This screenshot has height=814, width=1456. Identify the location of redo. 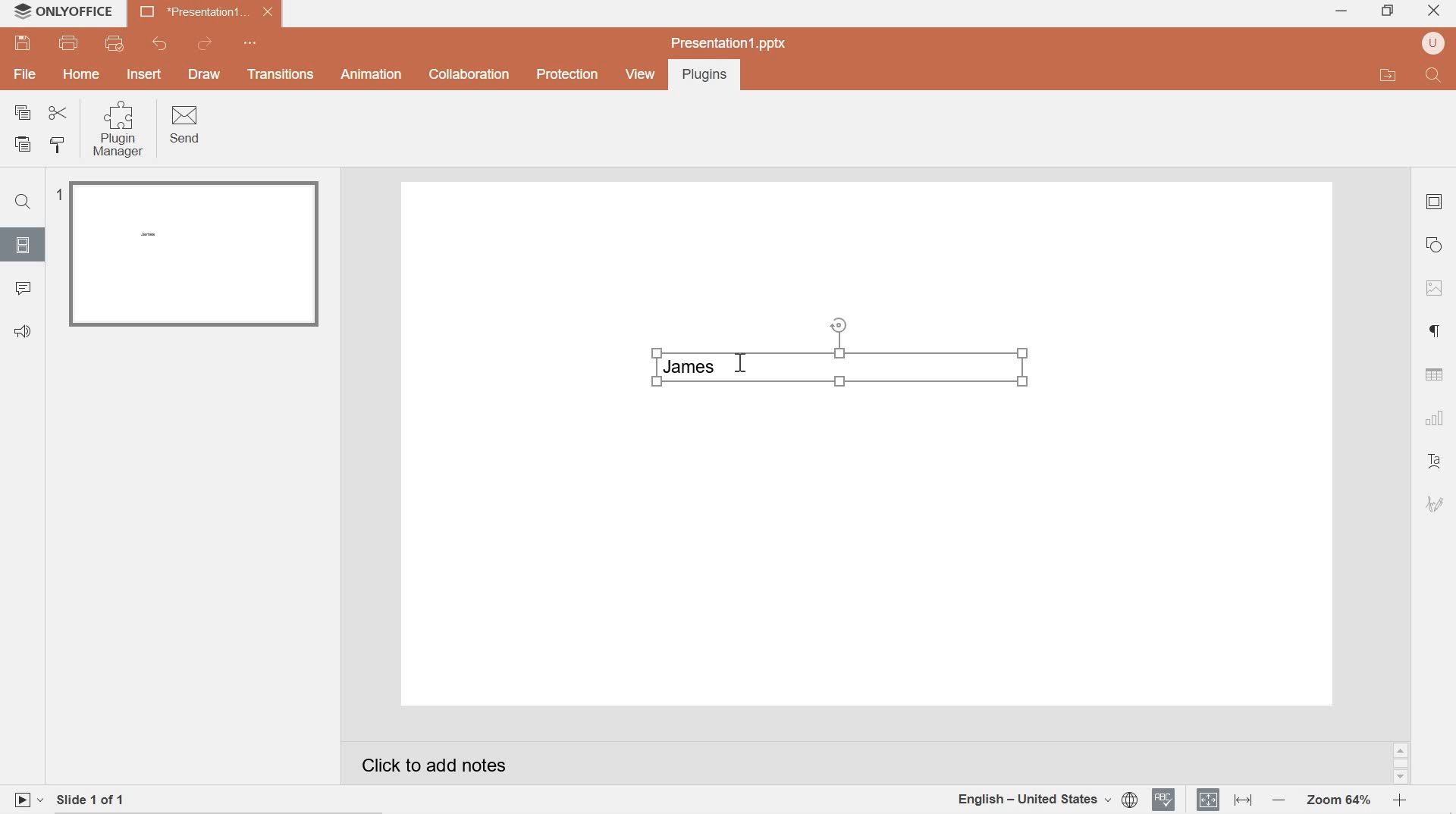
(207, 43).